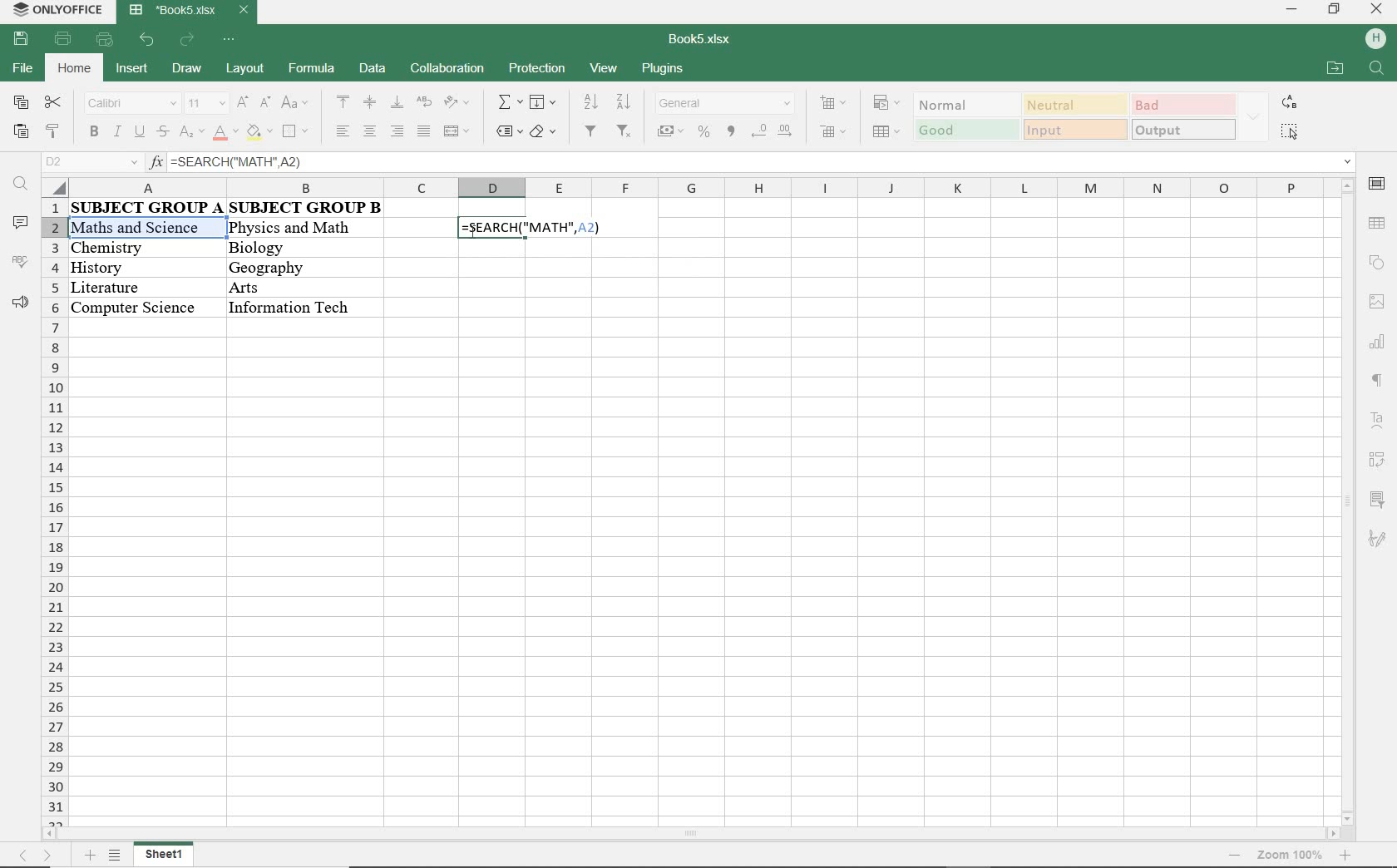  I want to click on font, so click(131, 105).